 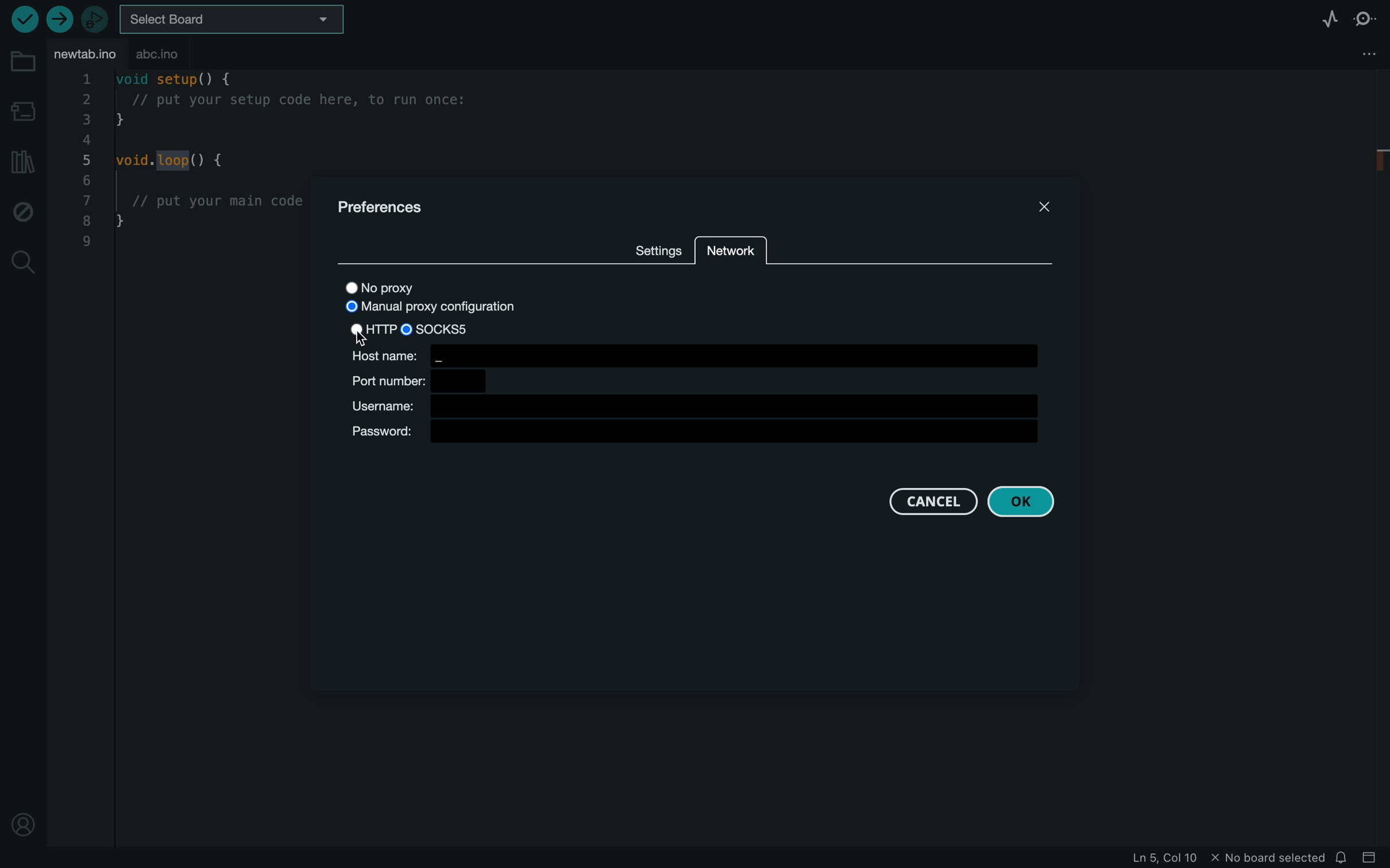 I want to click on cursor, so click(x=367, y=341).